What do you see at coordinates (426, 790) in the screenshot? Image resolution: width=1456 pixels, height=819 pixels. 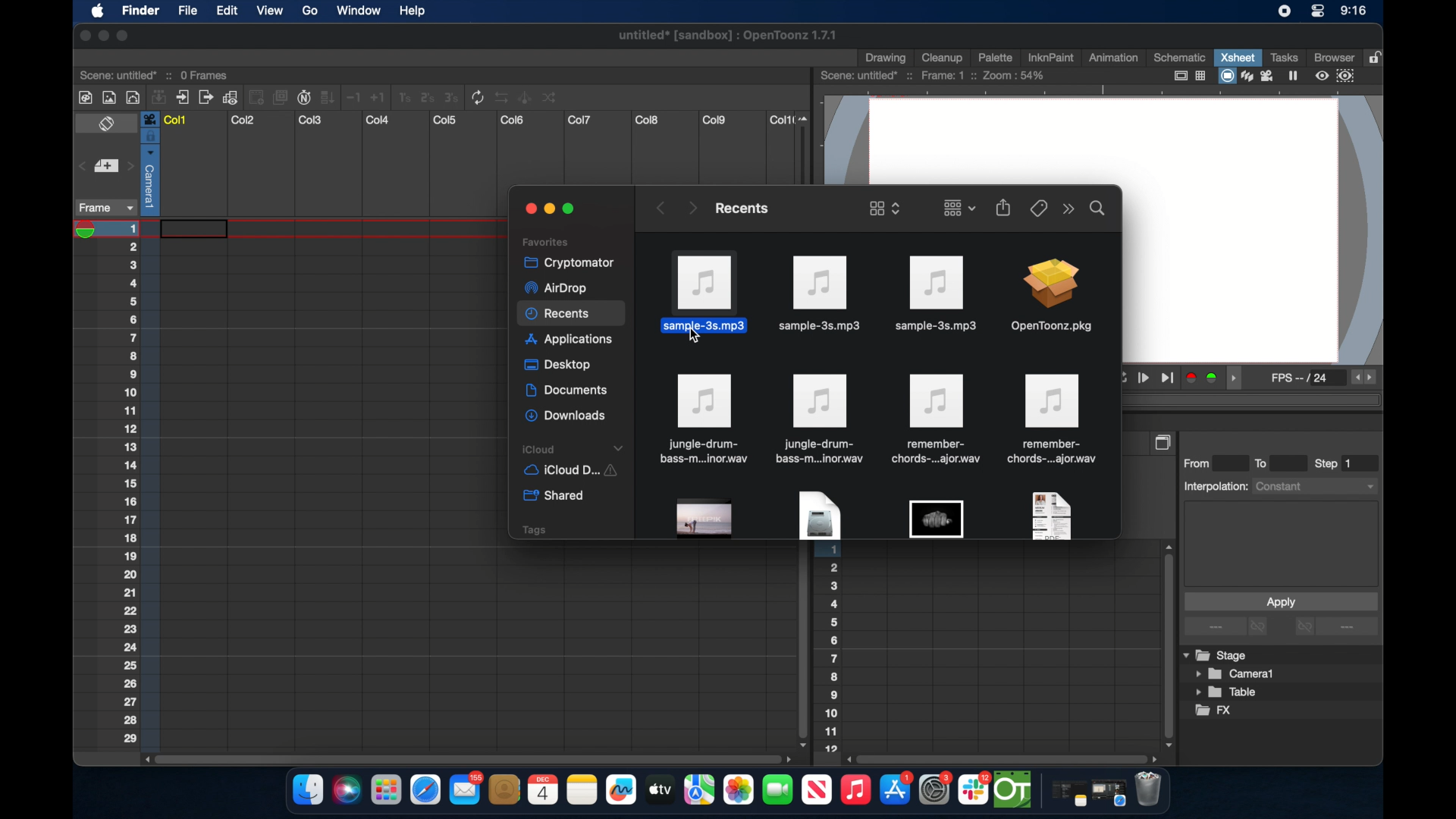 I see `safari` at bounding box center [426, 790].